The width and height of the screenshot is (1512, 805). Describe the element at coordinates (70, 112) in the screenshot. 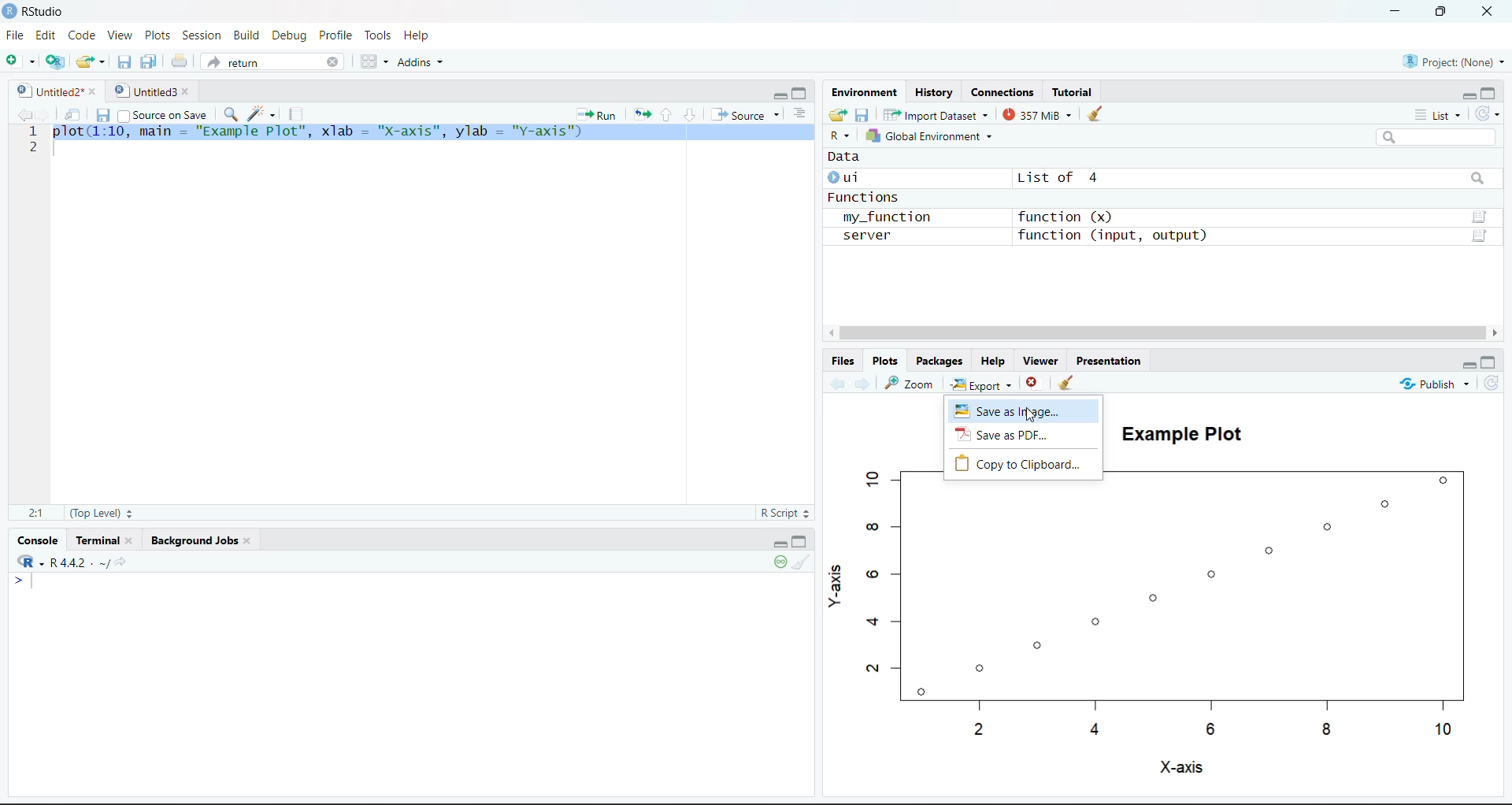

I see `Show in new window` at that location.